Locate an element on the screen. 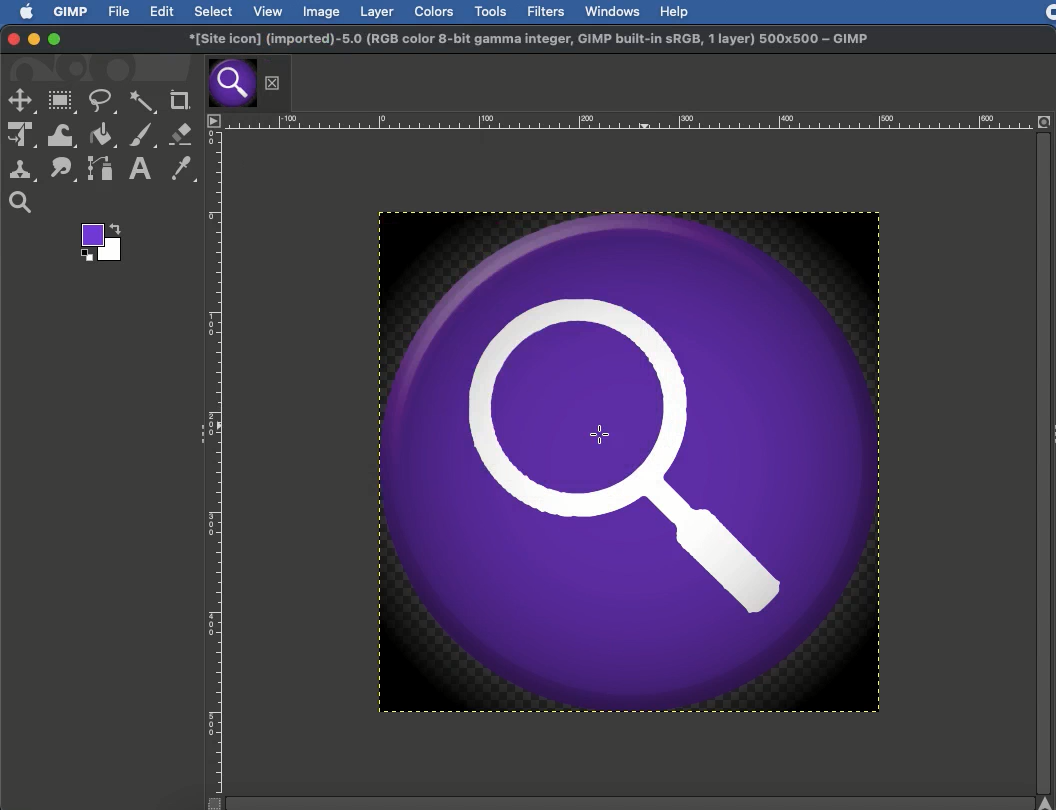  Minimize is located at coordinates (33, 39).